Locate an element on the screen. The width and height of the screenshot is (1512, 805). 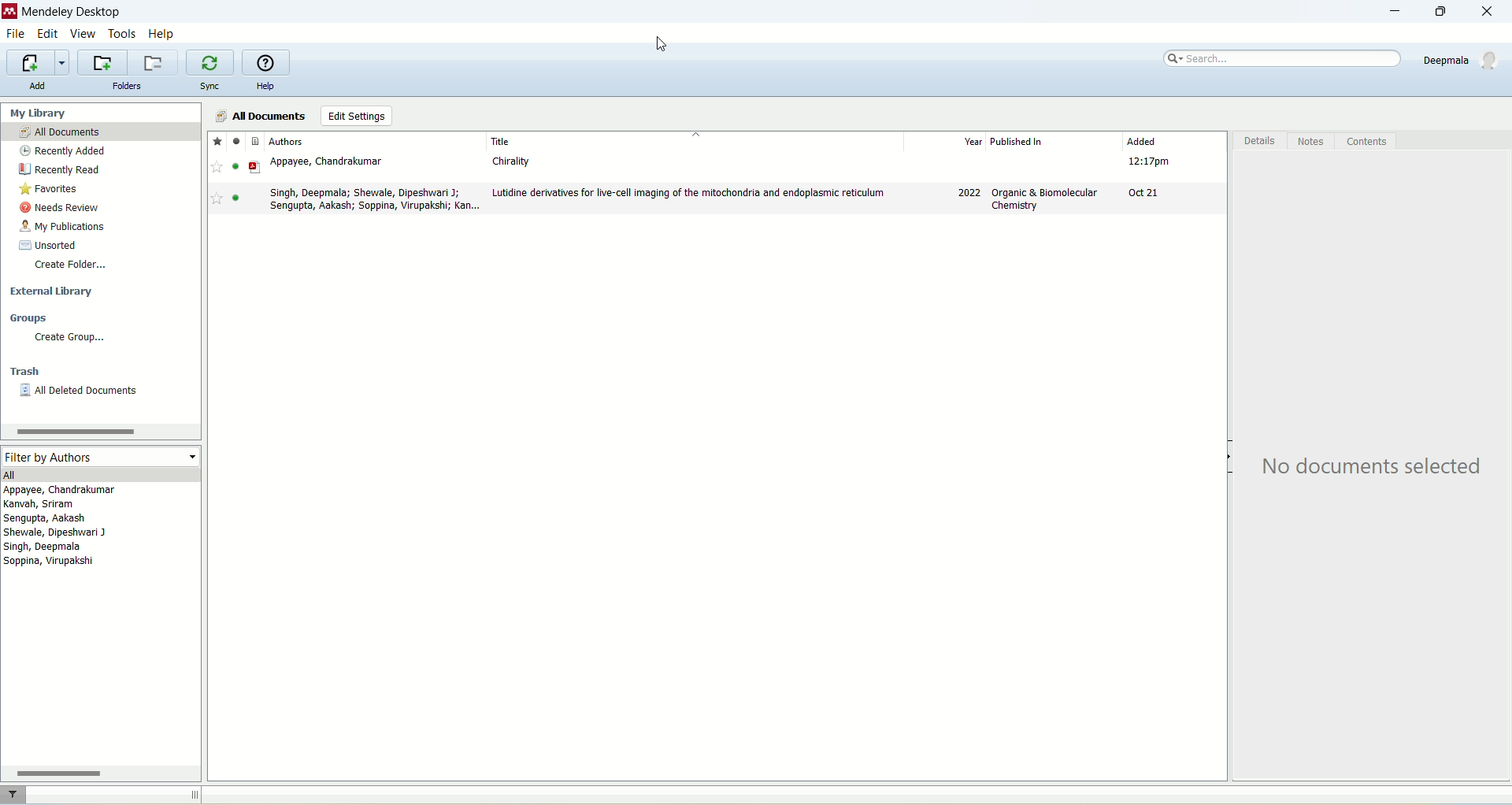
account is located at coordinates (1462, 60).